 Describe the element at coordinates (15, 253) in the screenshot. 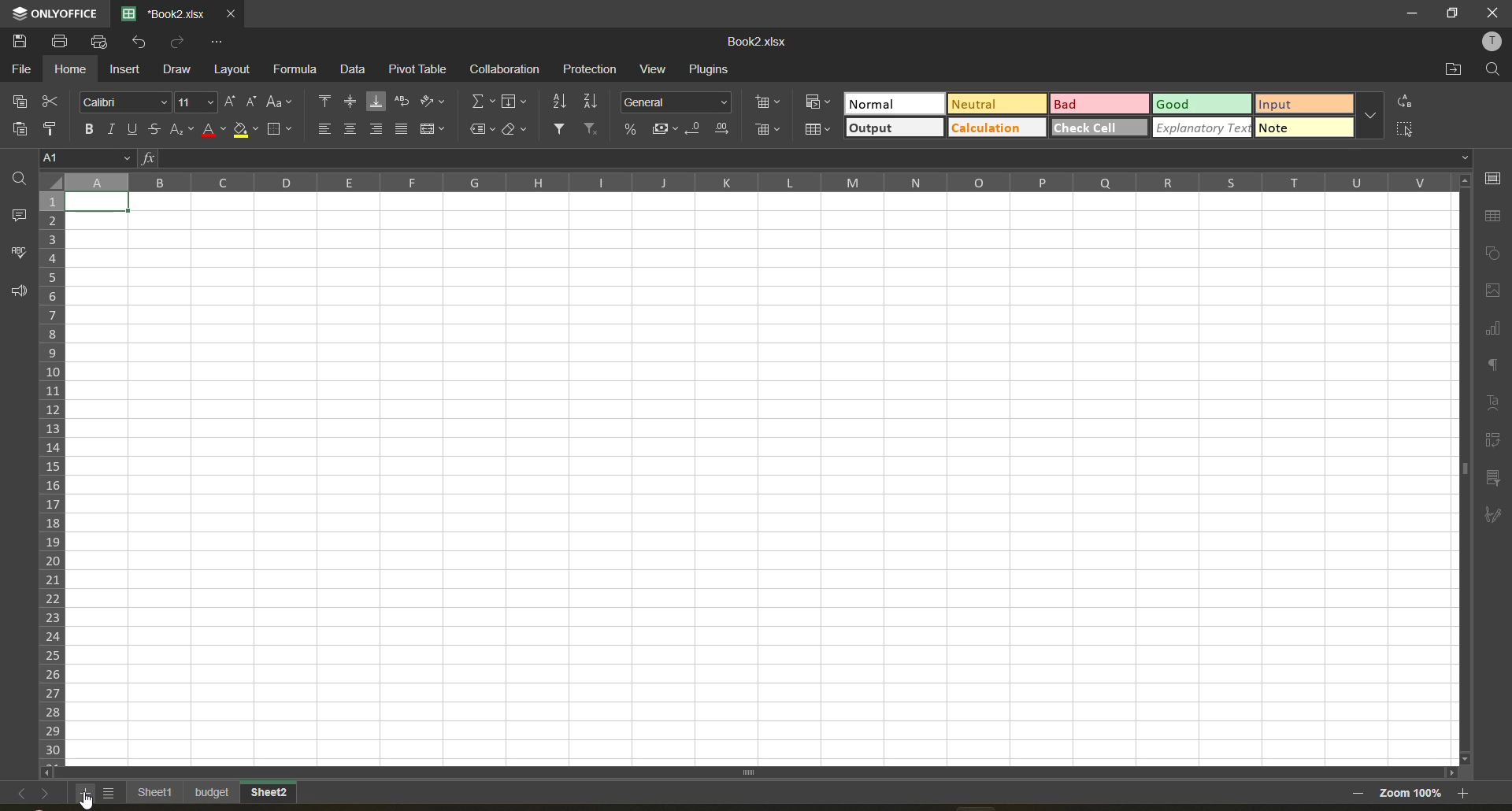

I see `spellcheck` at that location.